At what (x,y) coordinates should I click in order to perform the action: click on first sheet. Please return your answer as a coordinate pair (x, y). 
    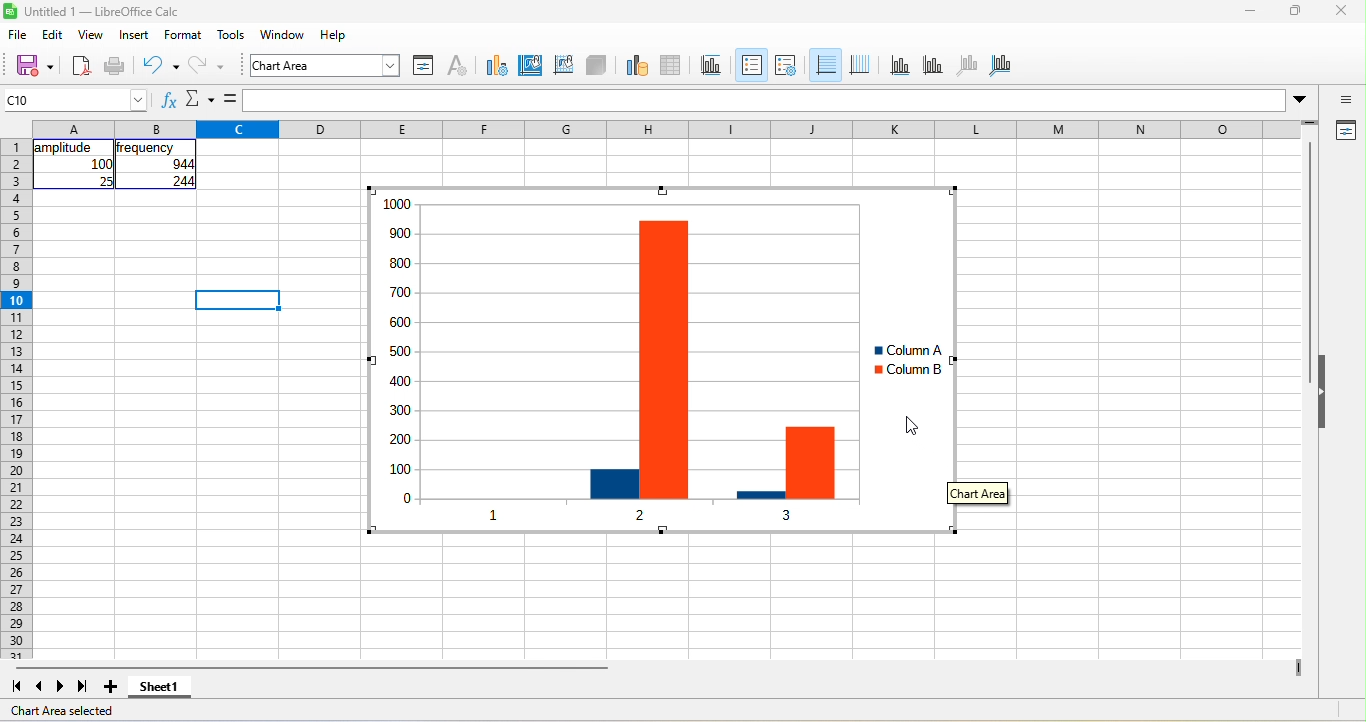
    Looking at the image, I should click on (16, 687).